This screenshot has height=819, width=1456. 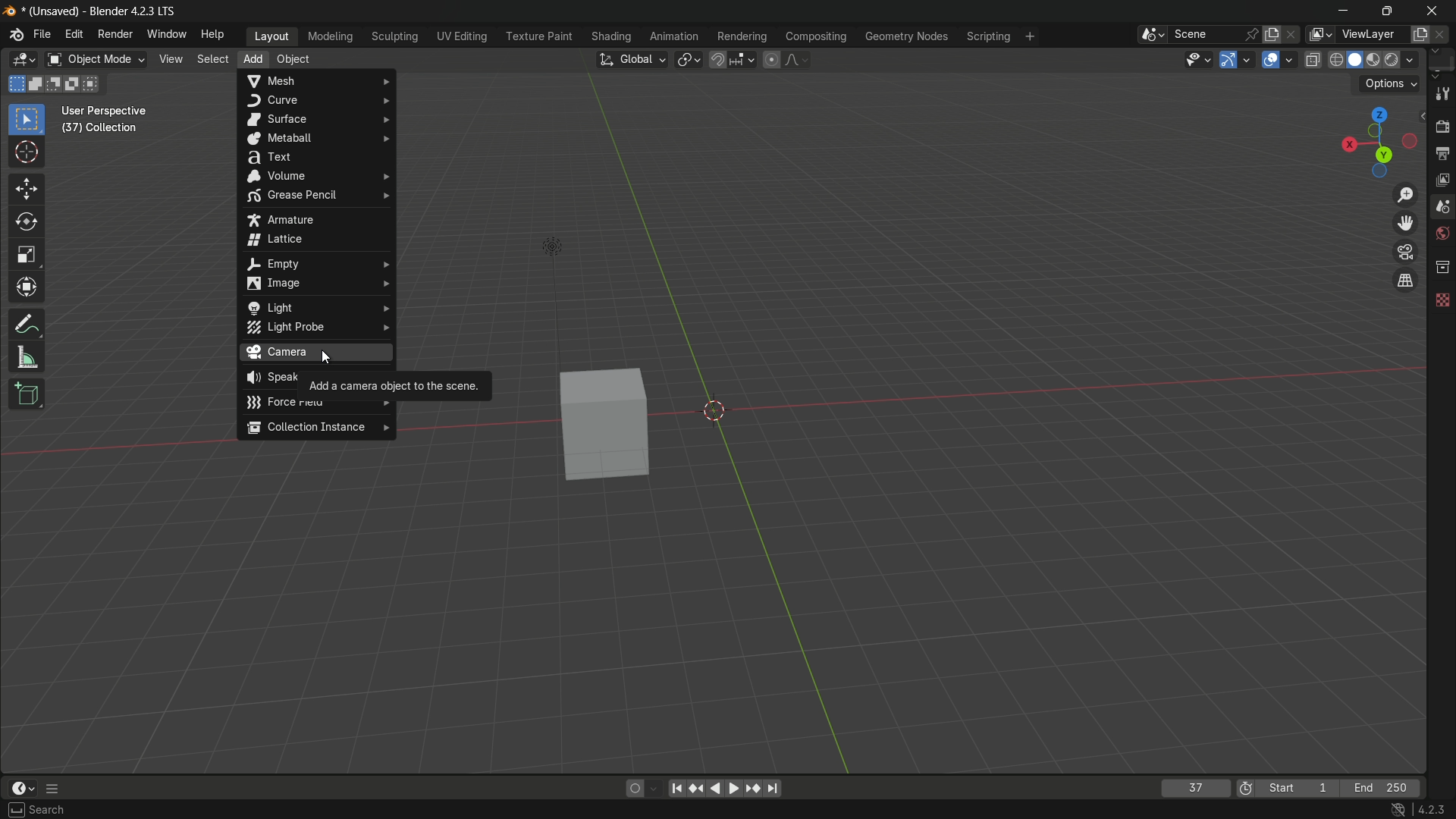 I want to click on light, so click(x=315, y=306).